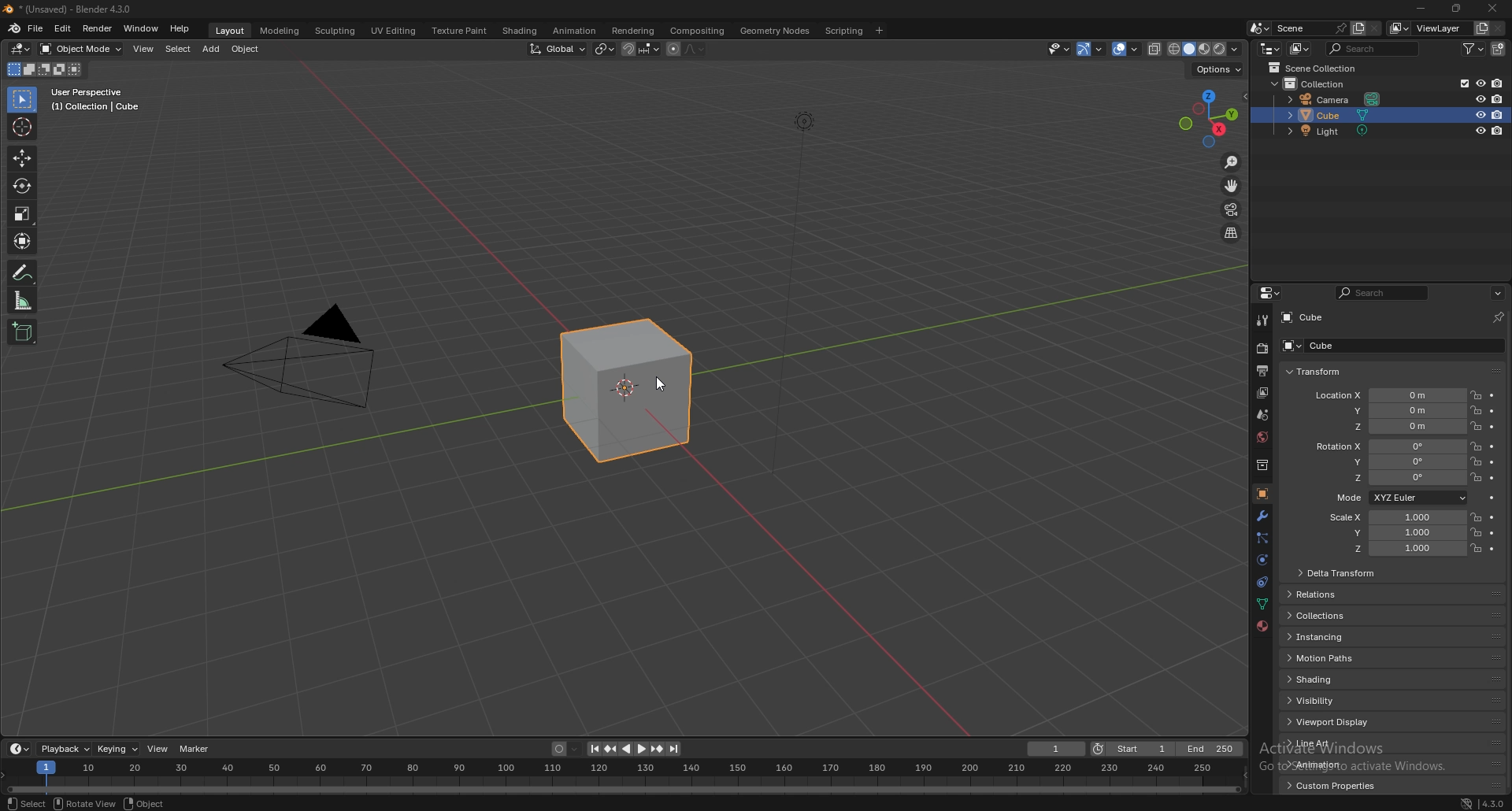  Describe the element at coordinates (1476, 547) in the screenshot. I see `lock location` at that location.